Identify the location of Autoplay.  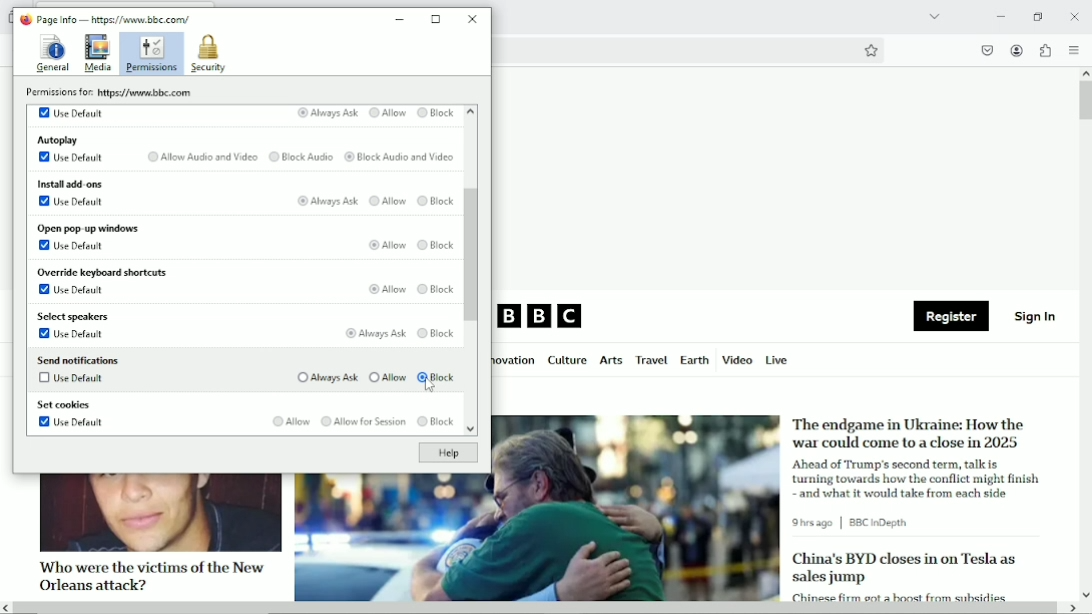
(59, 139).